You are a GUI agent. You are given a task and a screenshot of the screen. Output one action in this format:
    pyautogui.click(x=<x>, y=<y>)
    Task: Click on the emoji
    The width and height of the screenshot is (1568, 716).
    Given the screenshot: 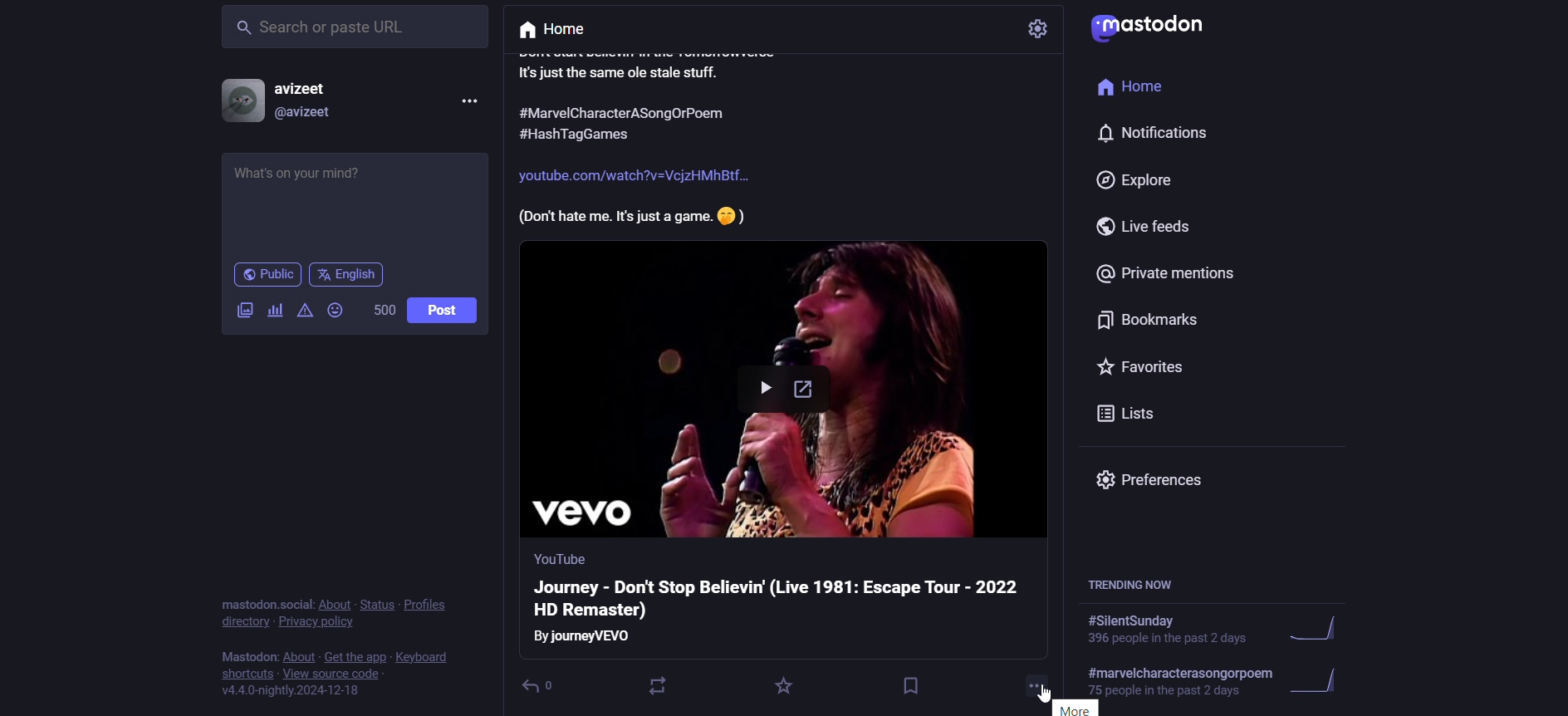 What is the action you would take?
    pyautogui.click(x=337, y=311)
    